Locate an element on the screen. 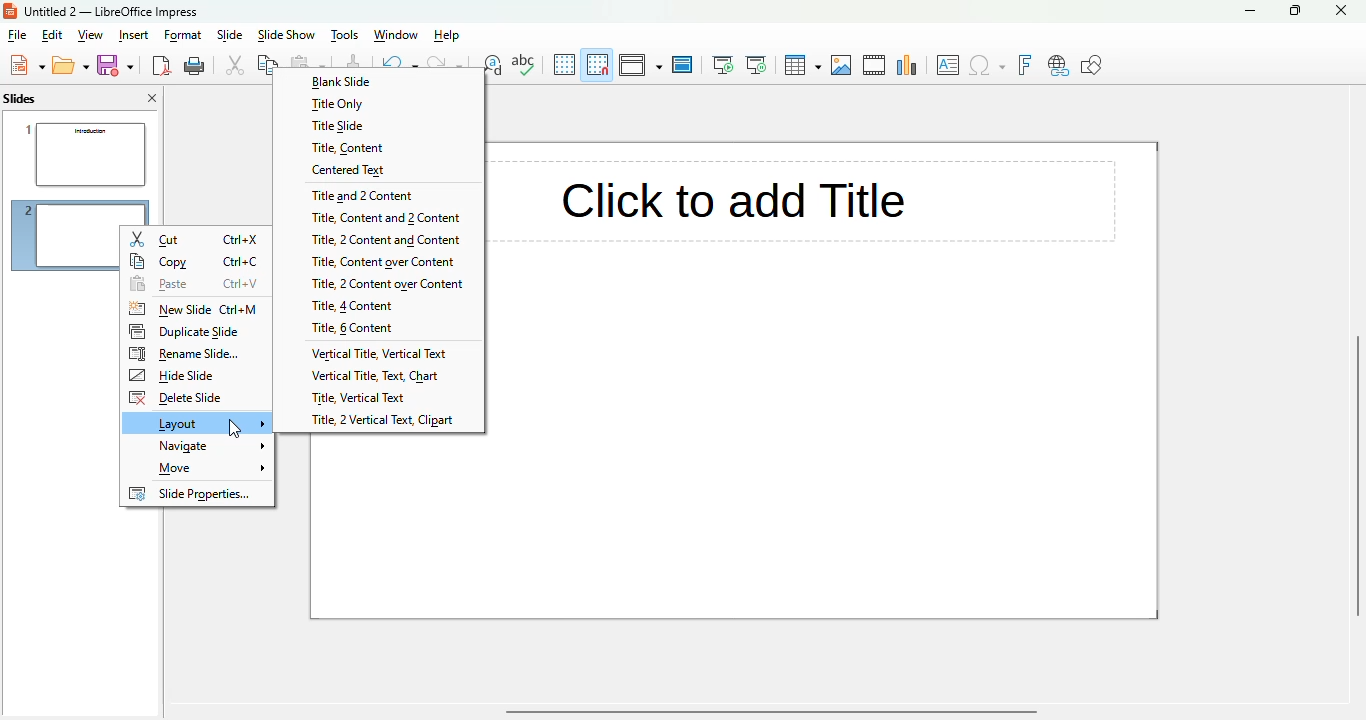  title, content is located at coordinates (379, 147).